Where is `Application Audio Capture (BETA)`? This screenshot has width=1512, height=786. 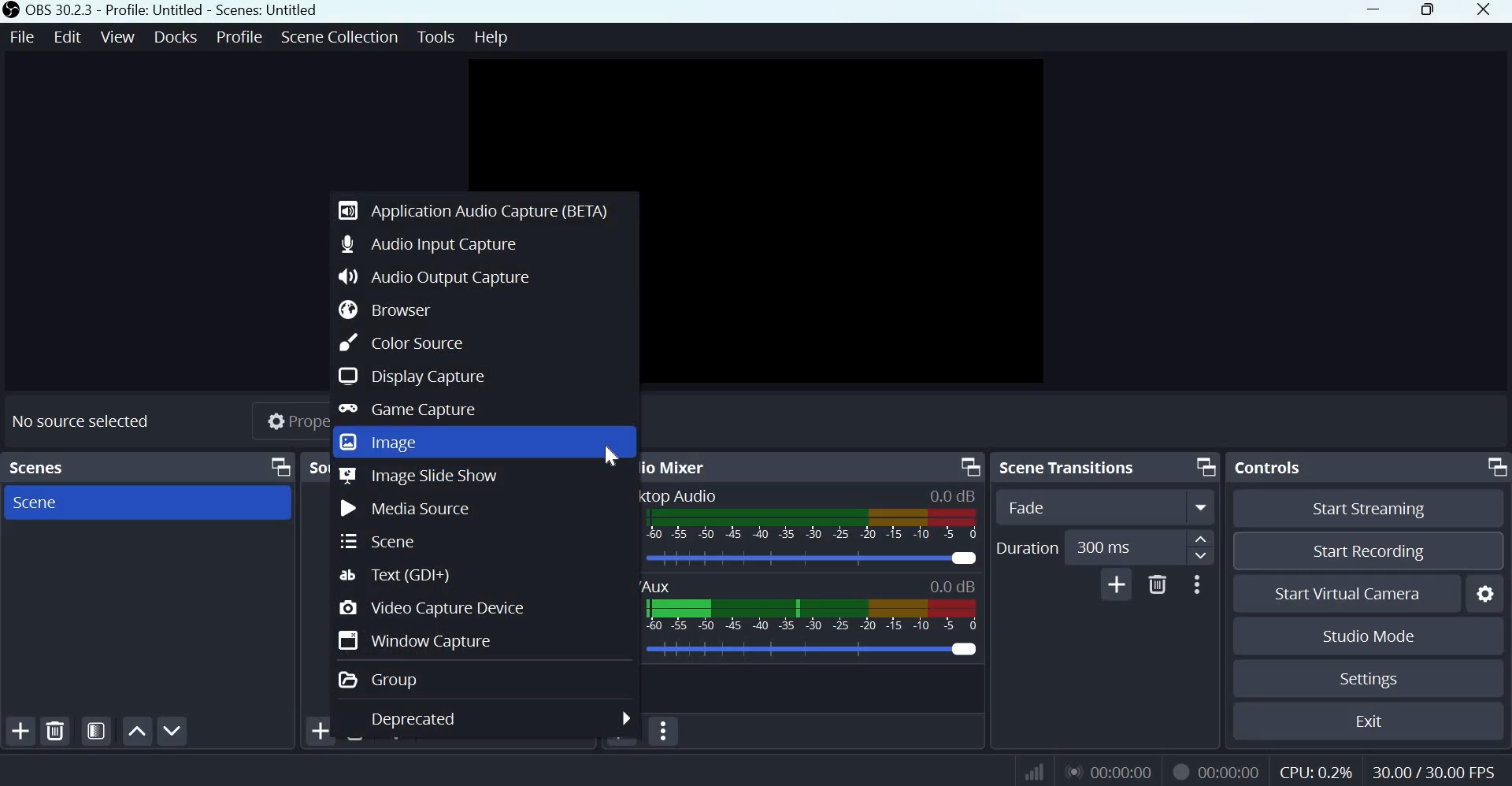 Application Audio Capture (BETA) is located at coordinates (474, 208).